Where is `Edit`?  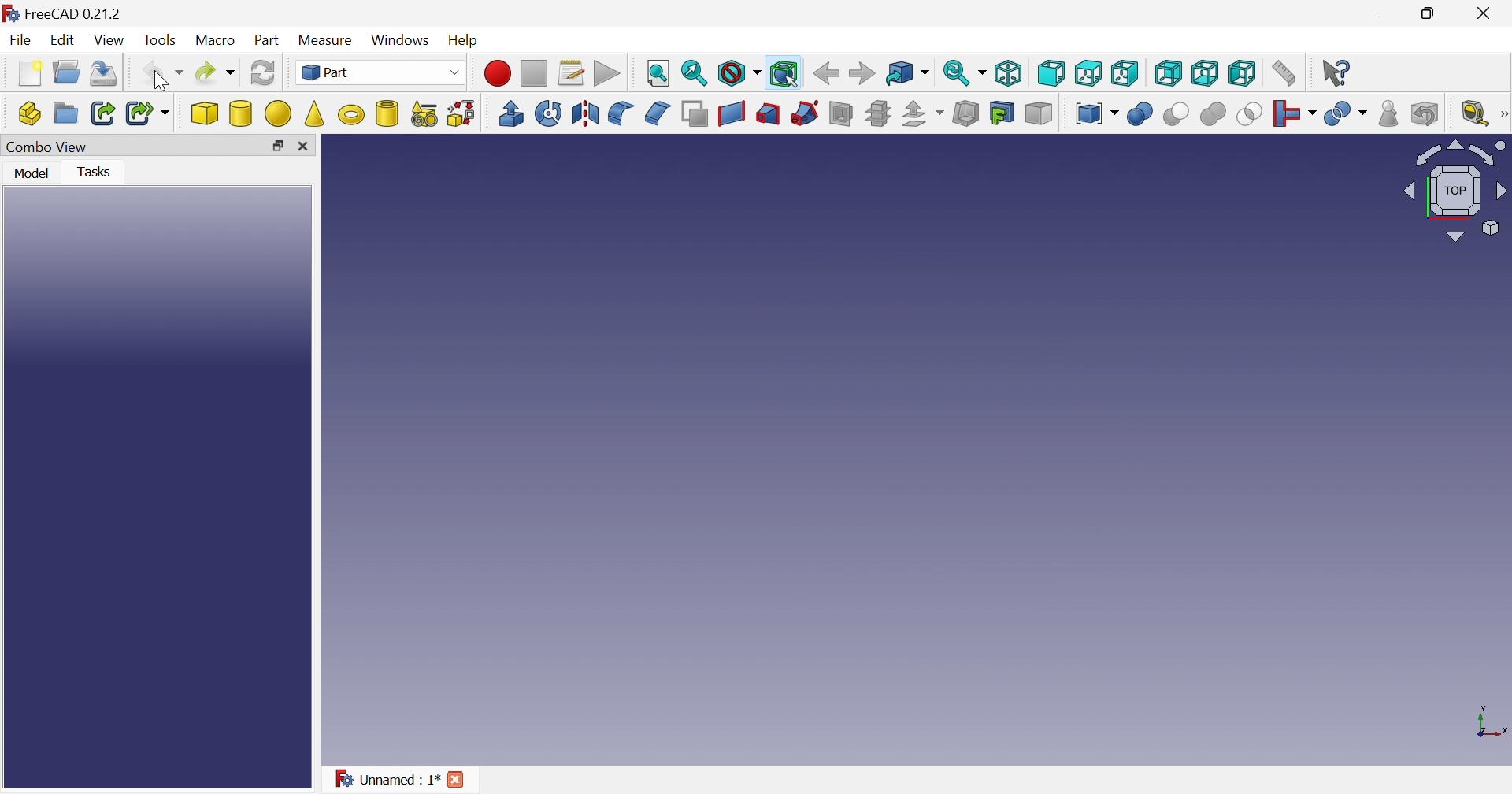
Edit is located at coordinates (61, 39).